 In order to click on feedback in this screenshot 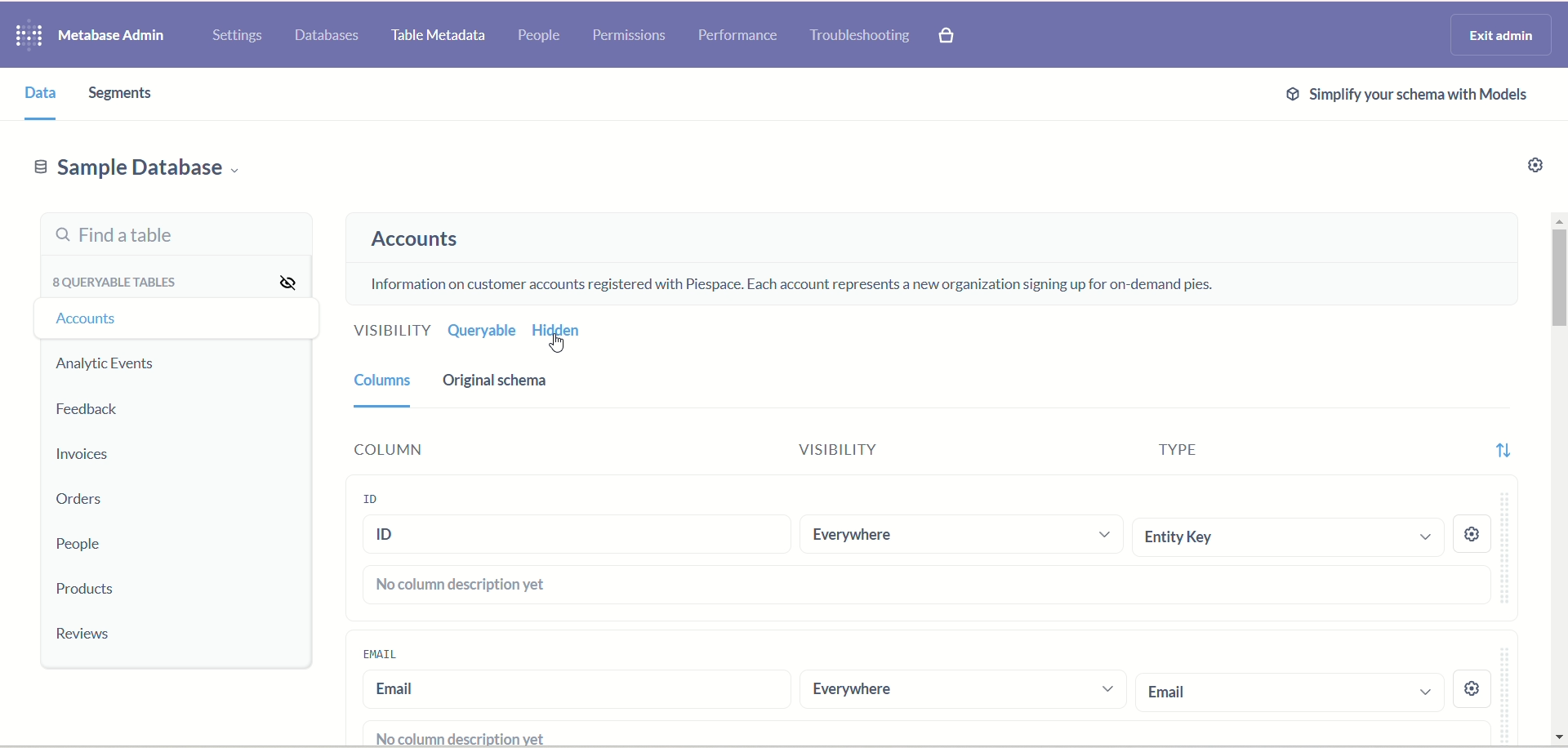, I will do `click(87, 414)`.